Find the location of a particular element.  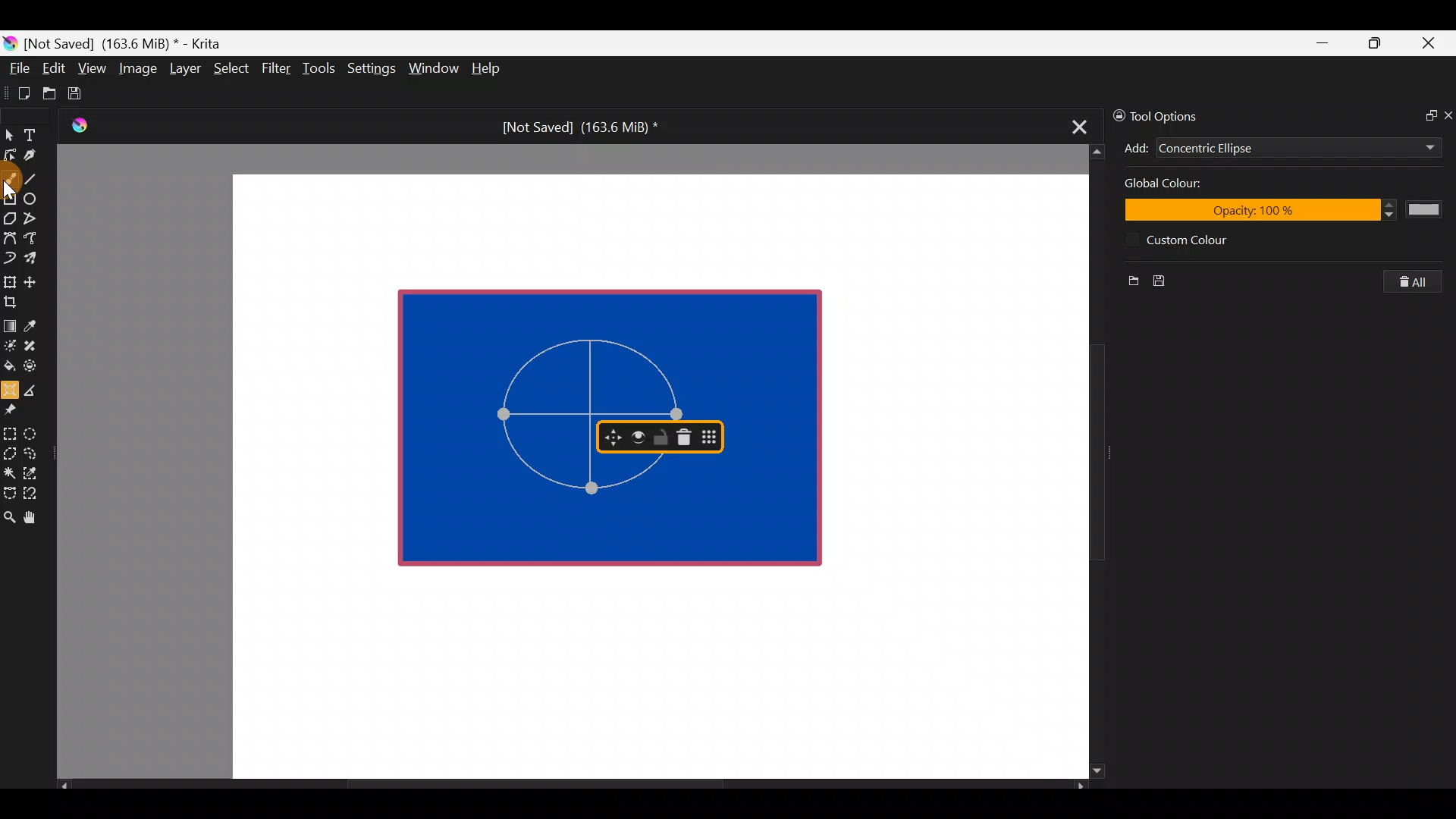

Settings is located at coordinates (373, 71).